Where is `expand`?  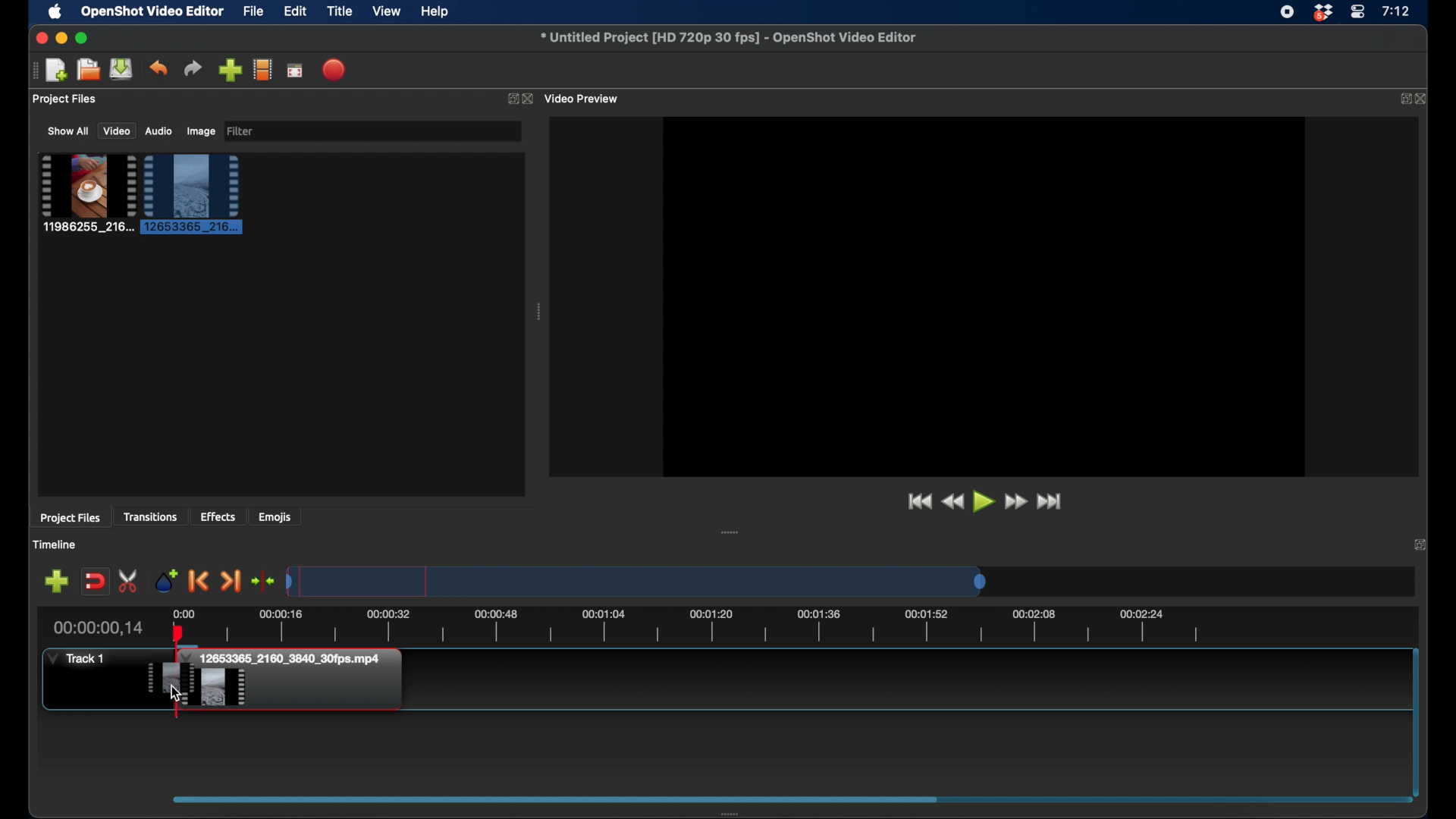 expand is located at coordinates (1404, 99).